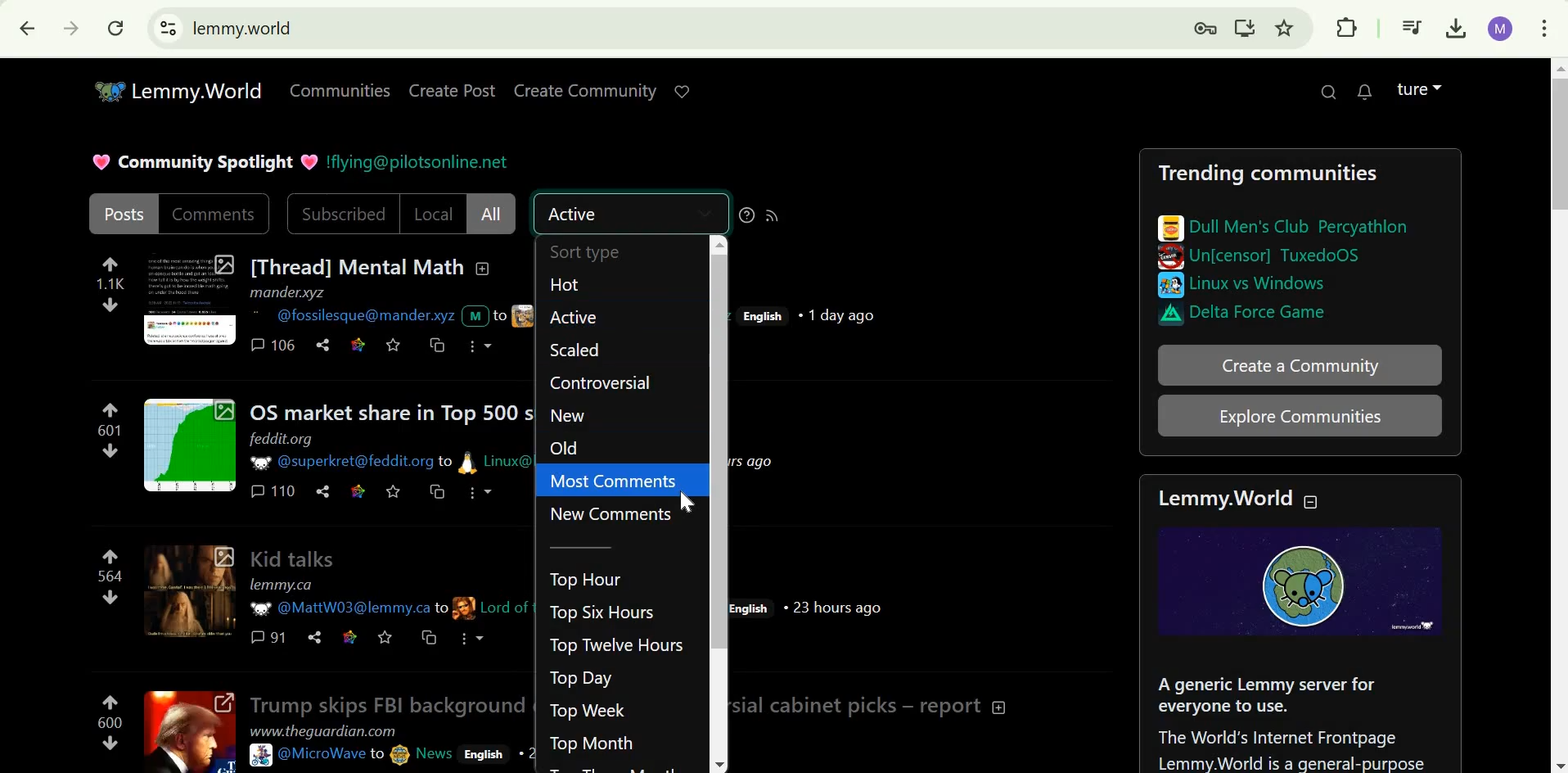 This screenshot has height=773, width=1568. What do you see at coordinates (702, 414) in the screenshot?
I see `collapse` at bounding box center [702, 414].